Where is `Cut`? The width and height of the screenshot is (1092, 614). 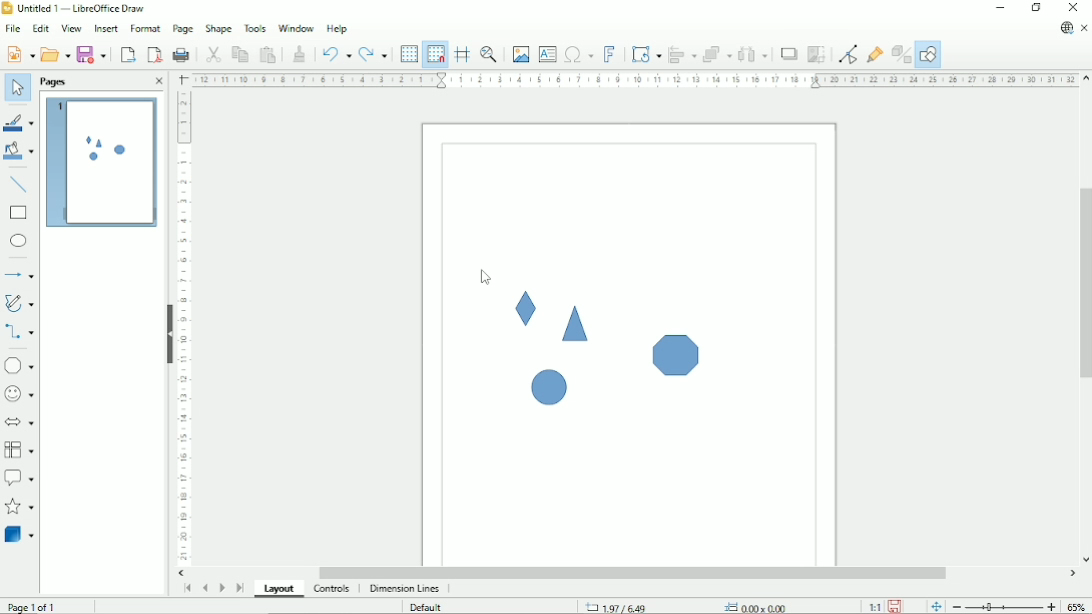
Cut is located at coordinates (214, 54).